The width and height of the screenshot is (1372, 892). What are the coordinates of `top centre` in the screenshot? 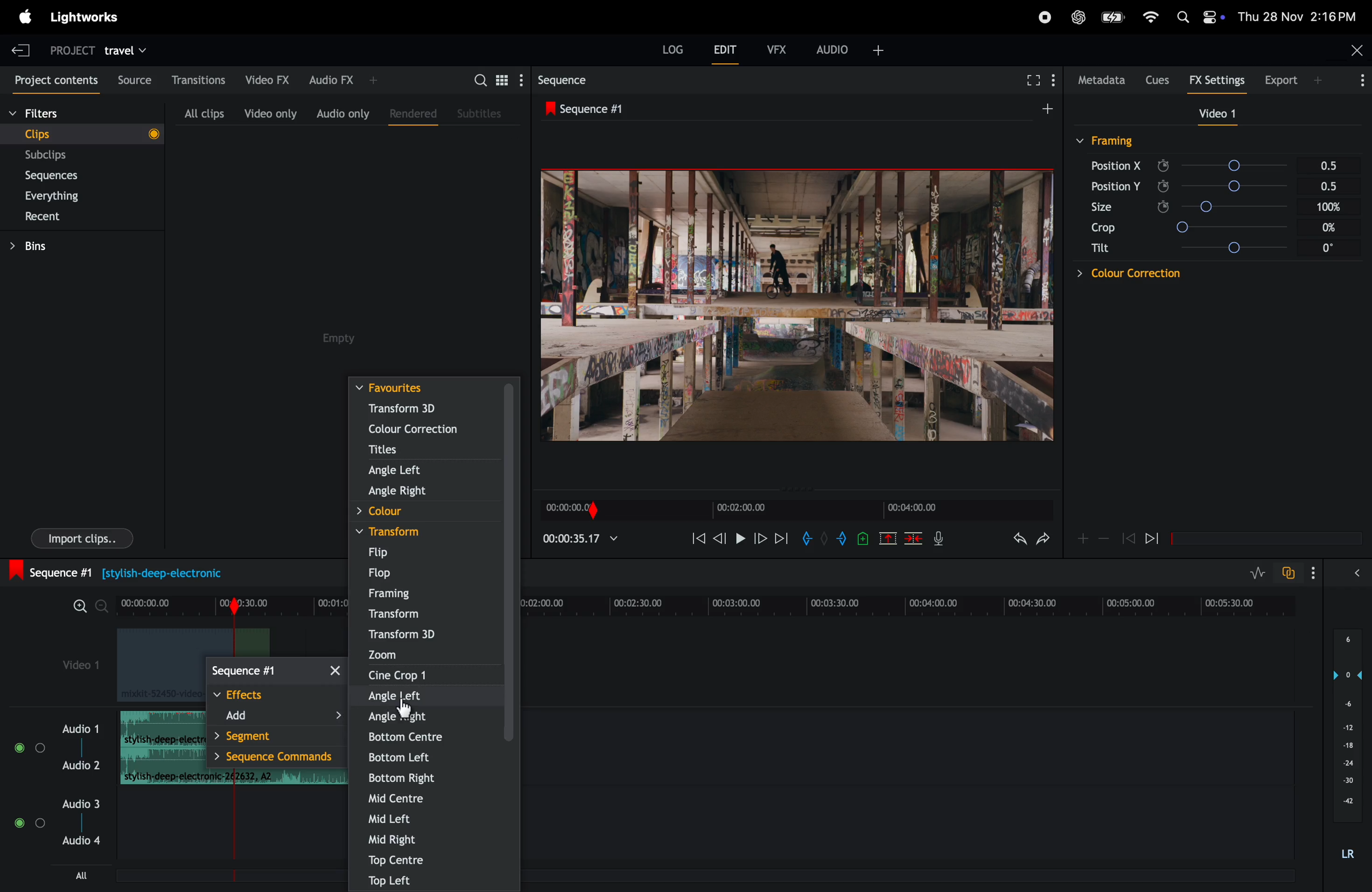 It's located at (436, 860).